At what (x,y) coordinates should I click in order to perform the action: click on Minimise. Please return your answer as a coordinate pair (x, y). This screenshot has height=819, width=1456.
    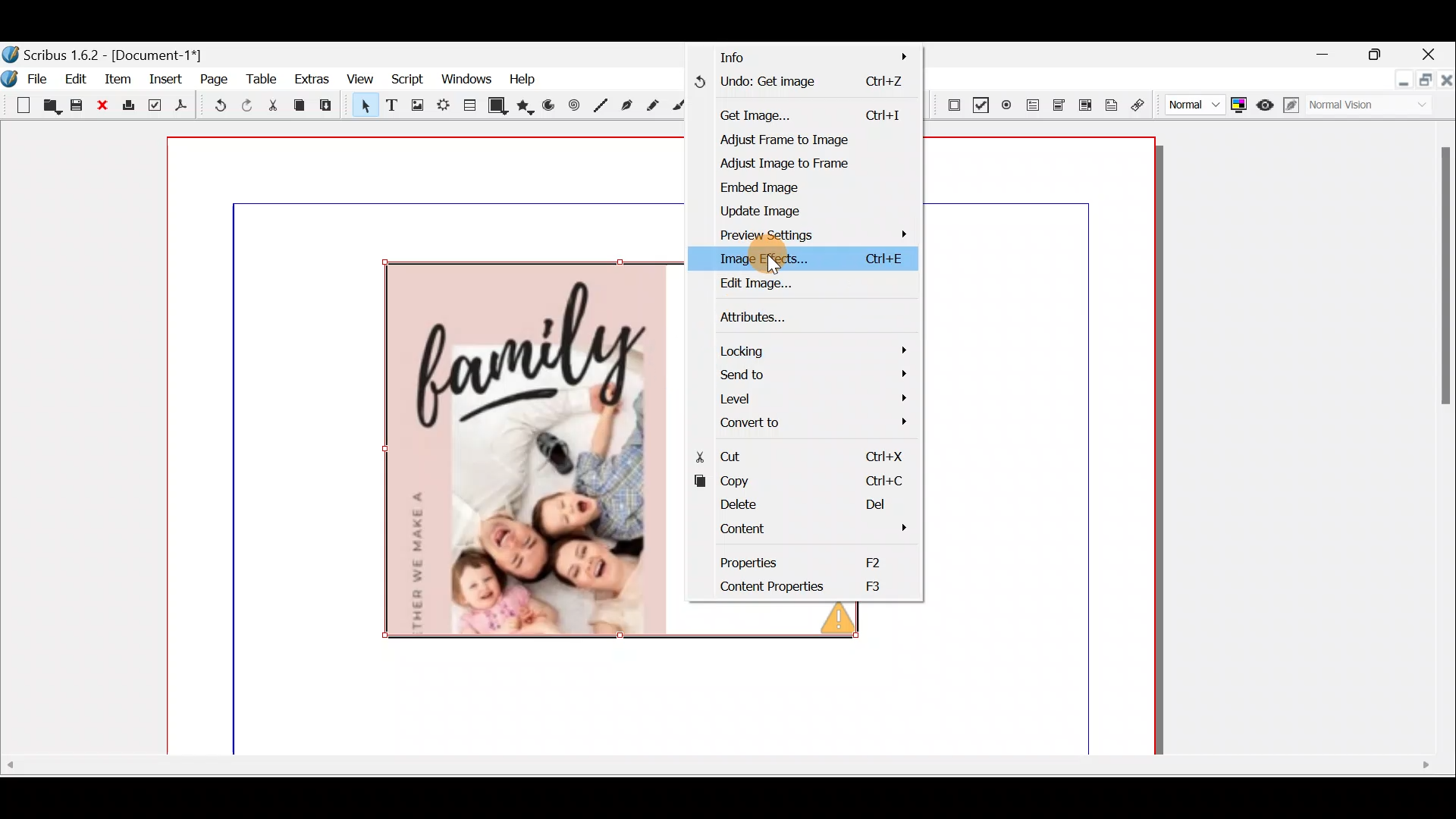
    Looking at the image, I should click on (1332, 55).